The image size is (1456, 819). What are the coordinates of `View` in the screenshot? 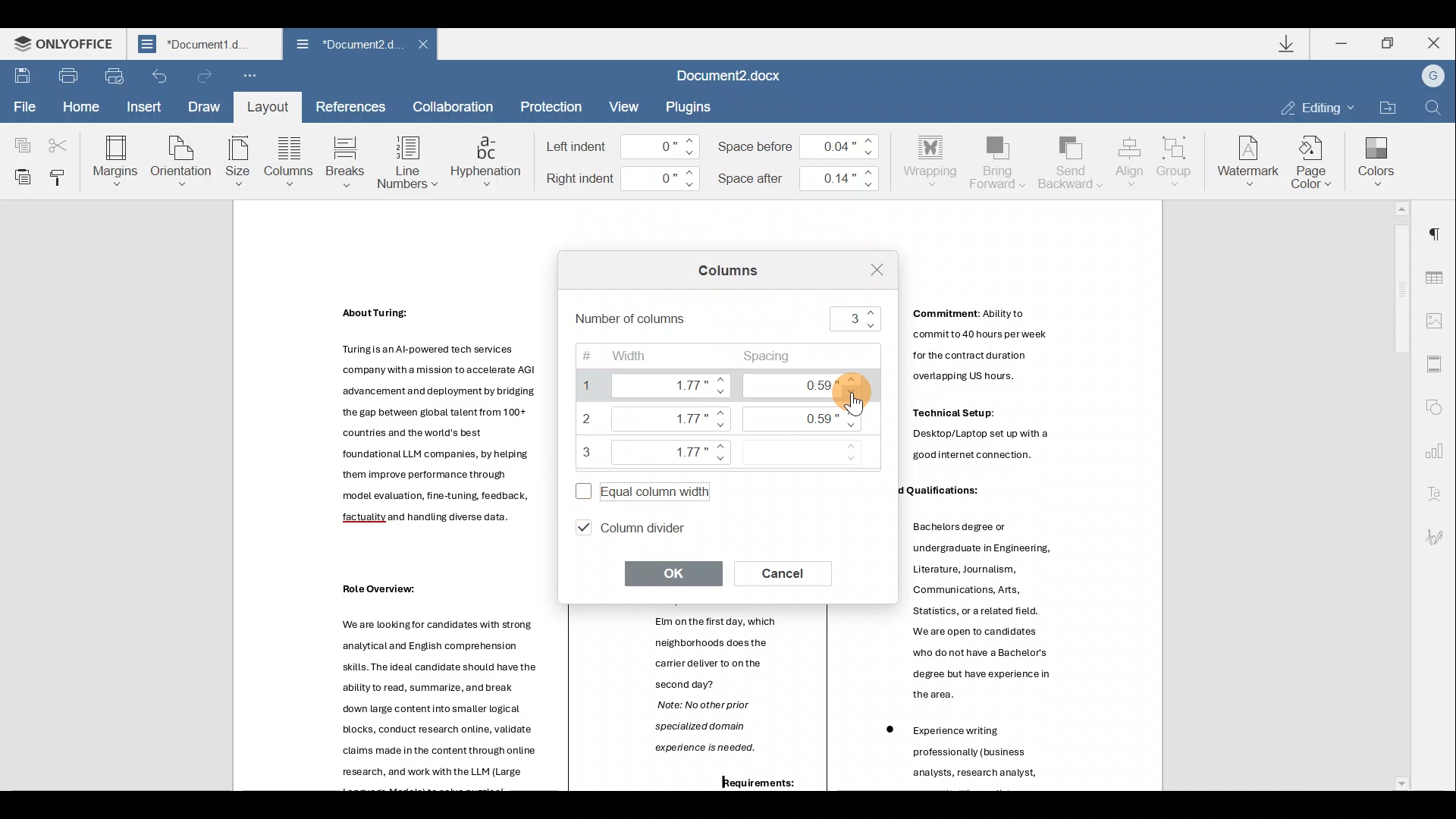 It's located at (625, 106).